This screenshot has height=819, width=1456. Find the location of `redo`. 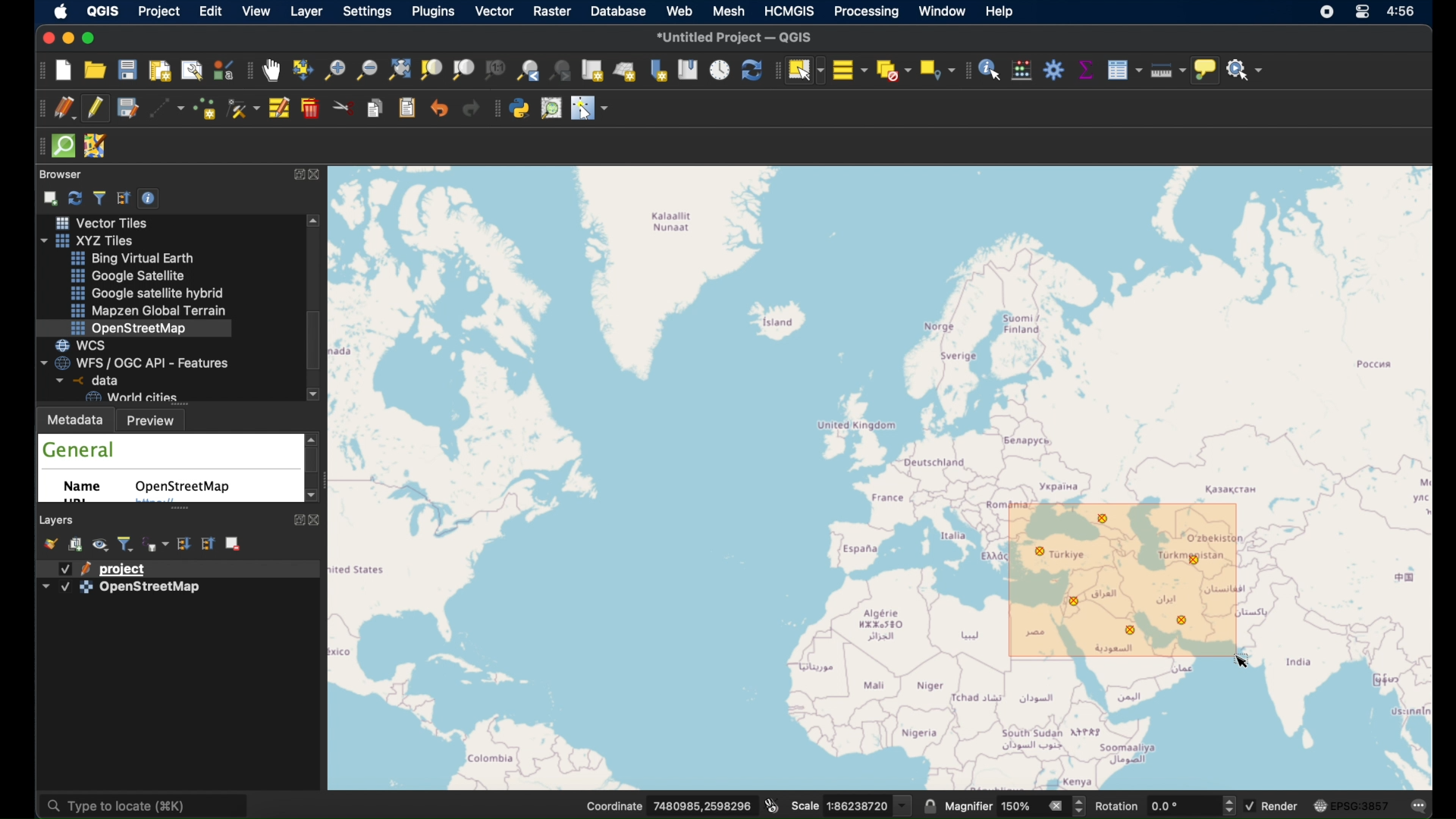

redo is located at coordinates (471, 109).